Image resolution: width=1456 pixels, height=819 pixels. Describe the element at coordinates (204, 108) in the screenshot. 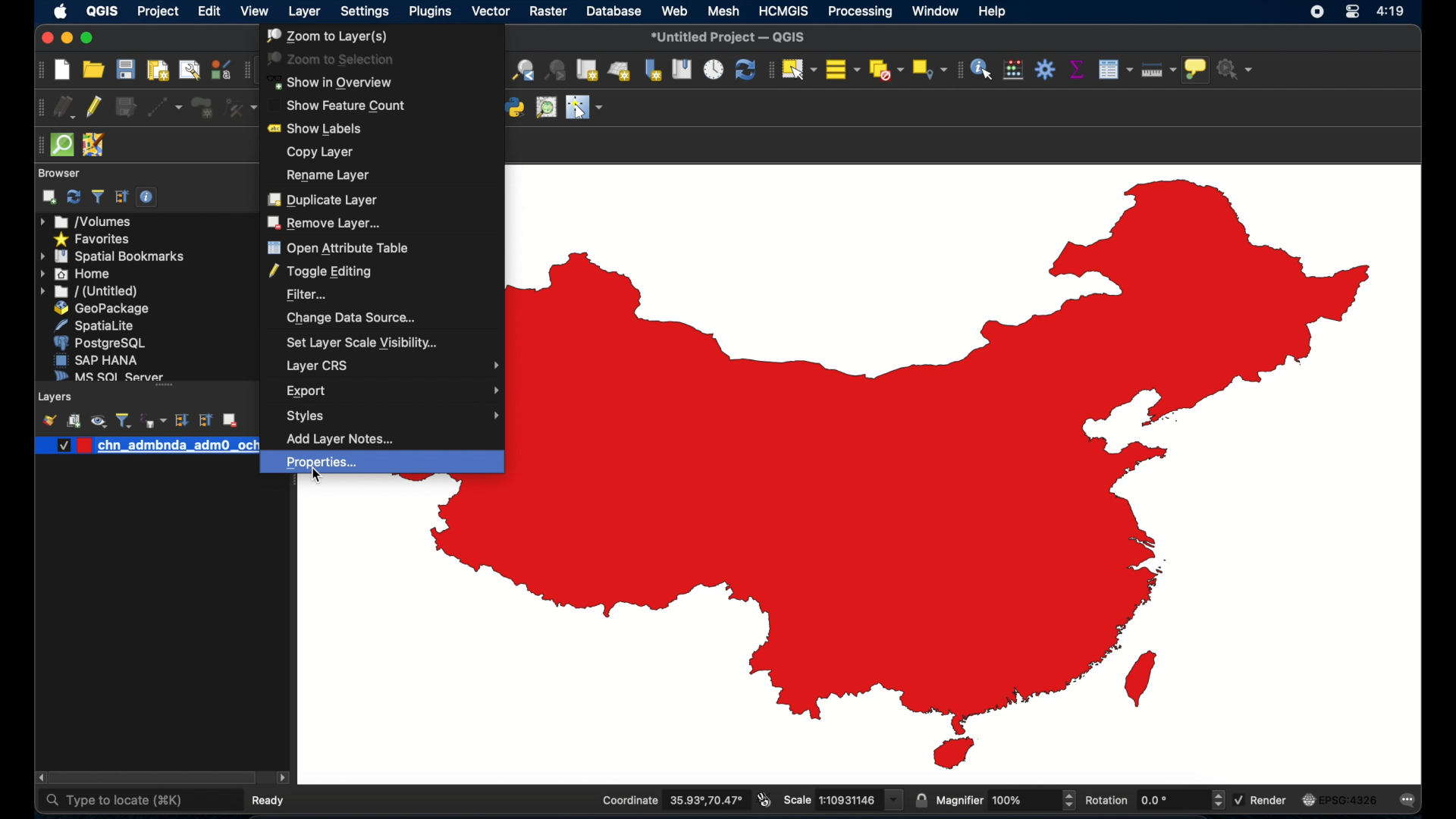

I see `add polygon feature` at that location.